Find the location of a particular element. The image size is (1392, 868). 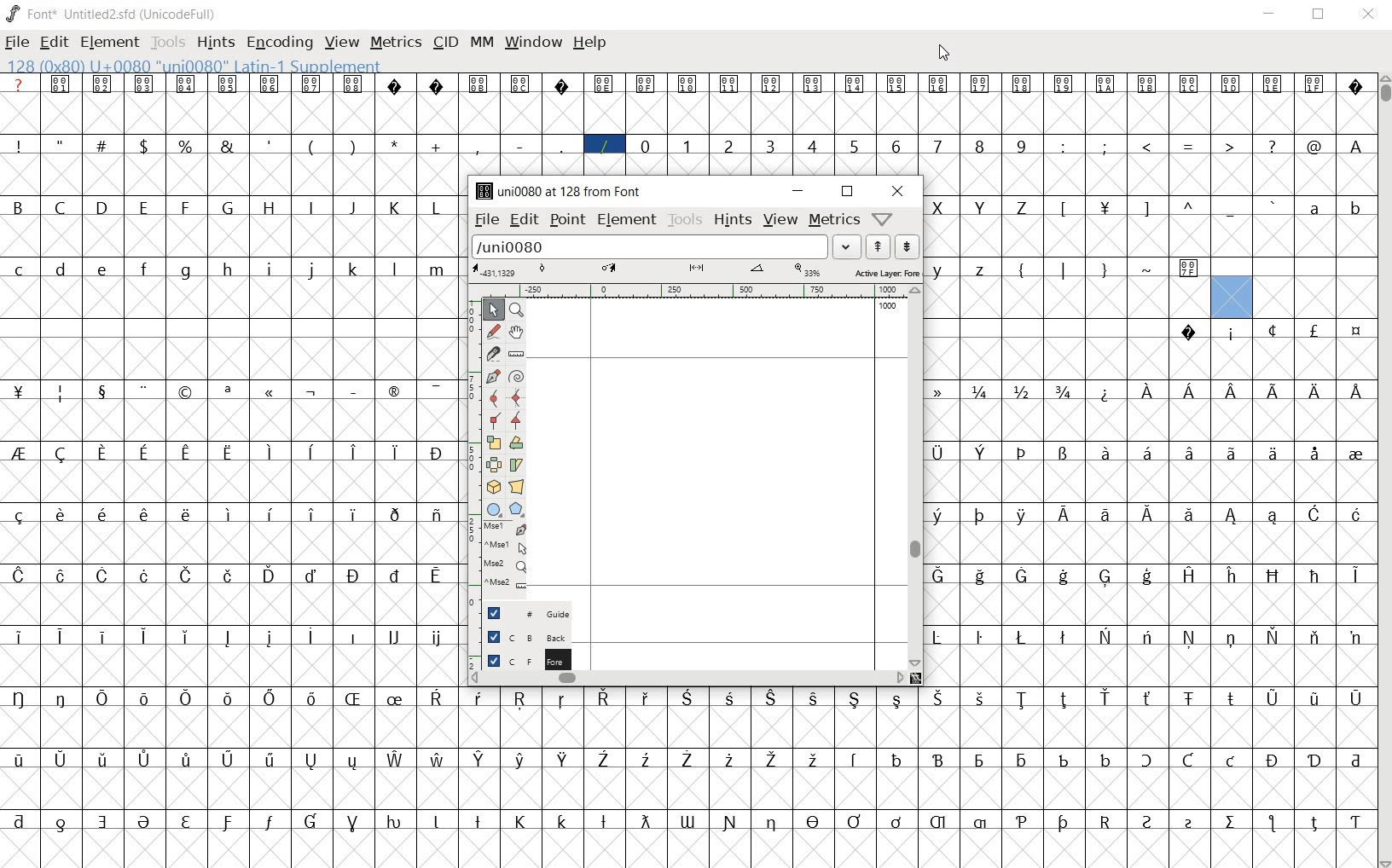

glyph is located at coordinates (391, 391).